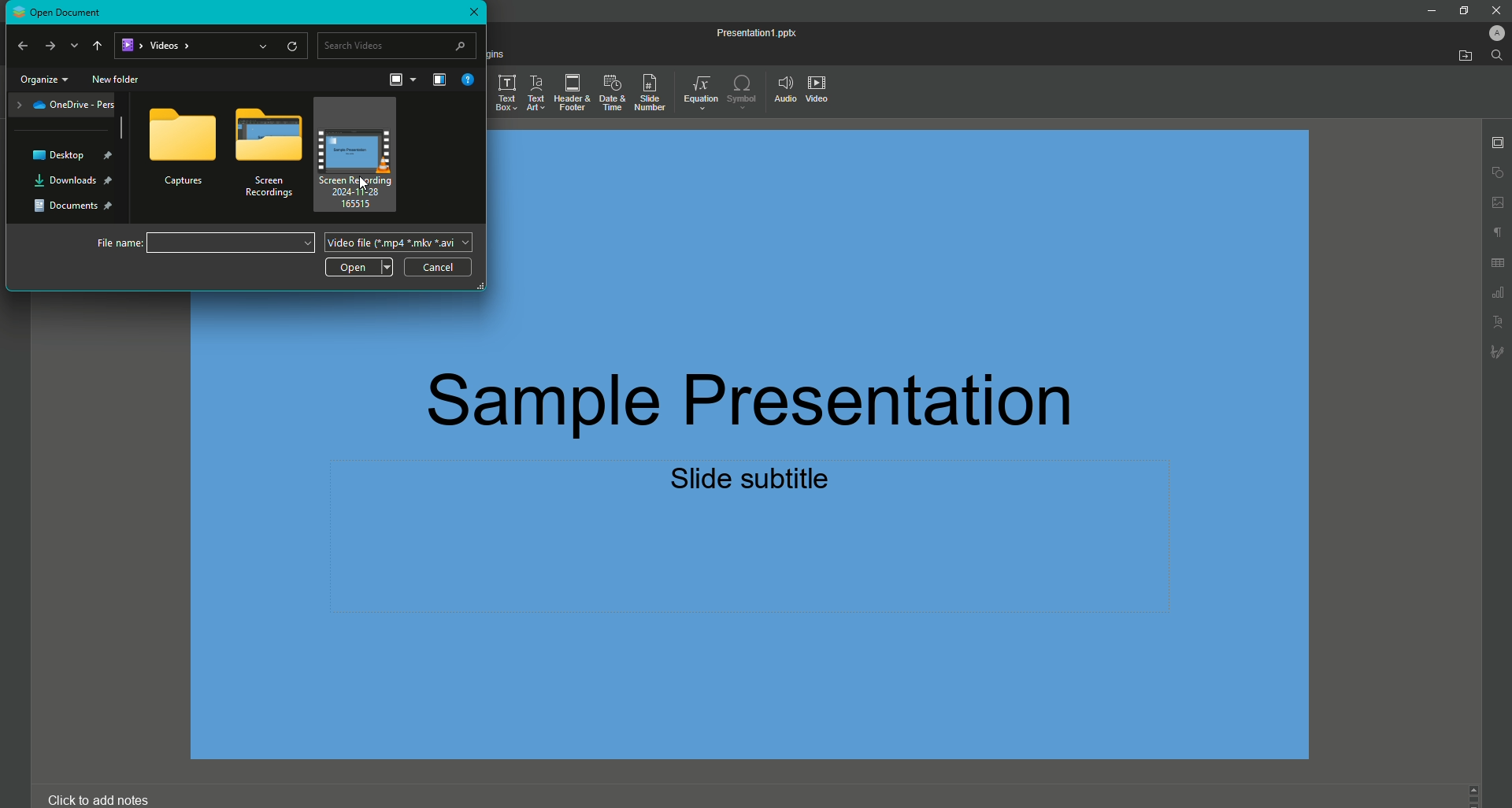 The height and width of the screenshot is (808, 1512). I want to click on Desktop, so click(84, 155).